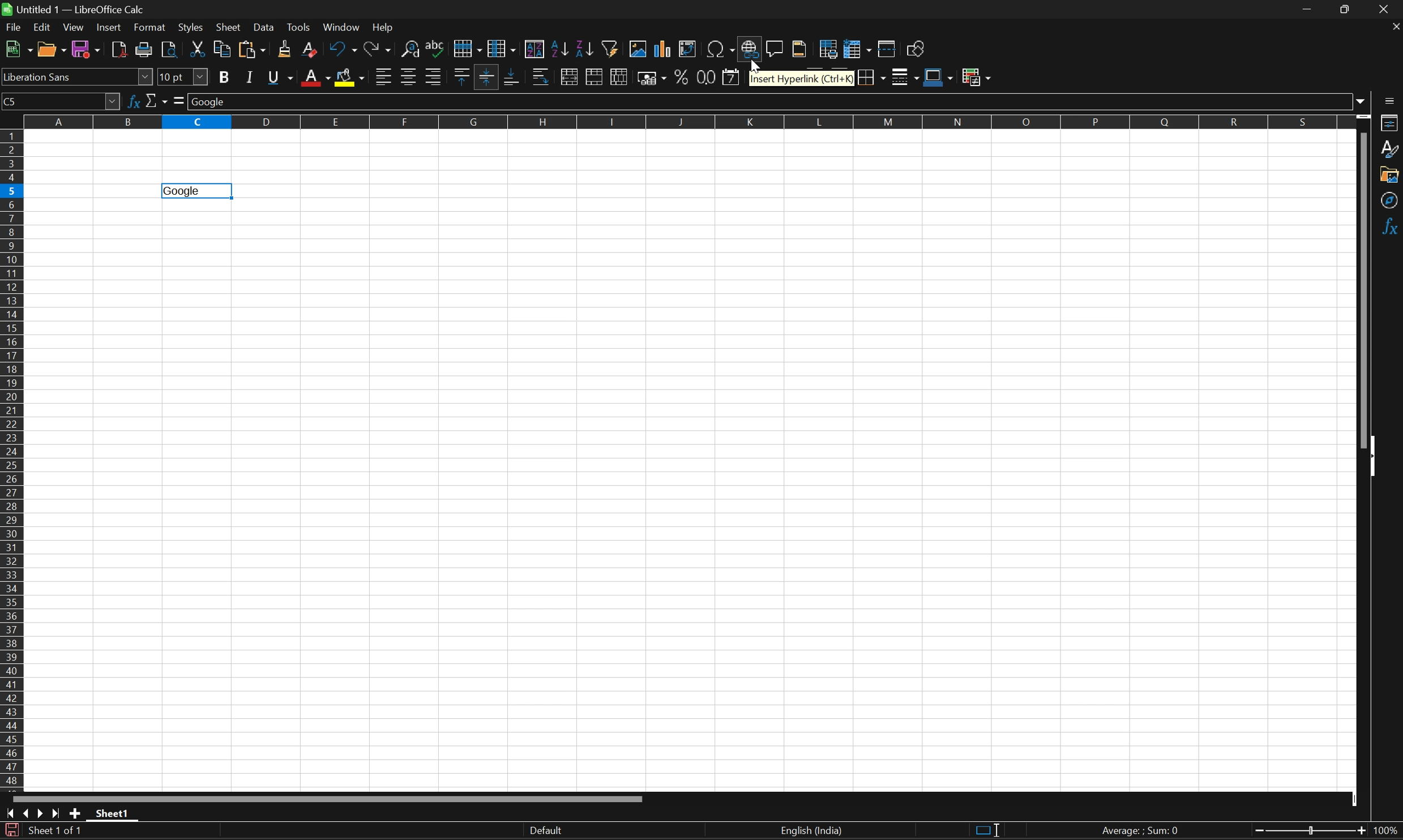 Image resolution: width=1403 pixels, height=840 pixels. What do you see at coordinates (828, 47) in the screenshot?
I see `Define print area` at bounding box center [828, 47].